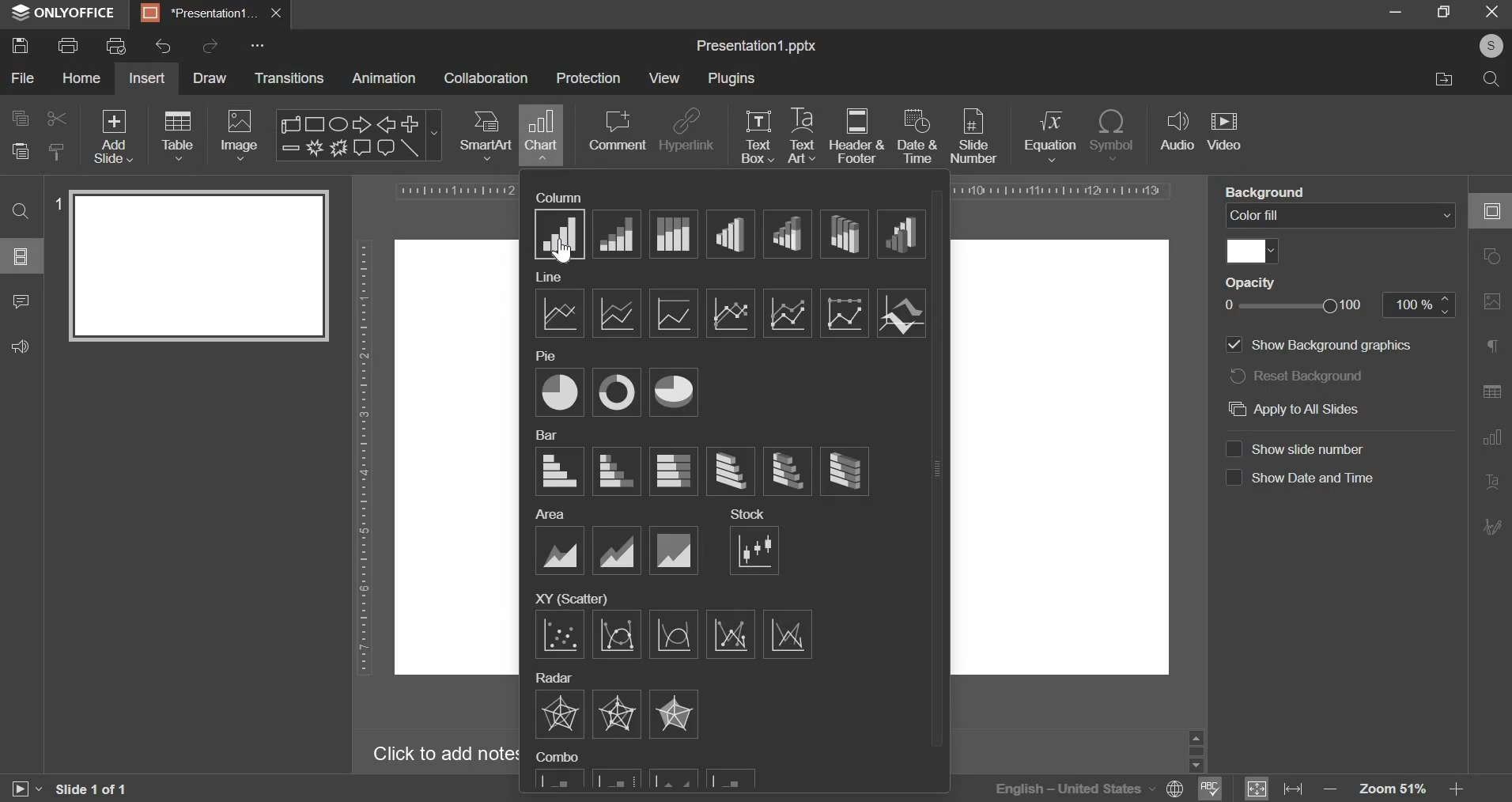  What do you see at coordinates (730, 75) in the screenshot?
I see `plugins` at bounding box center [730, 75].